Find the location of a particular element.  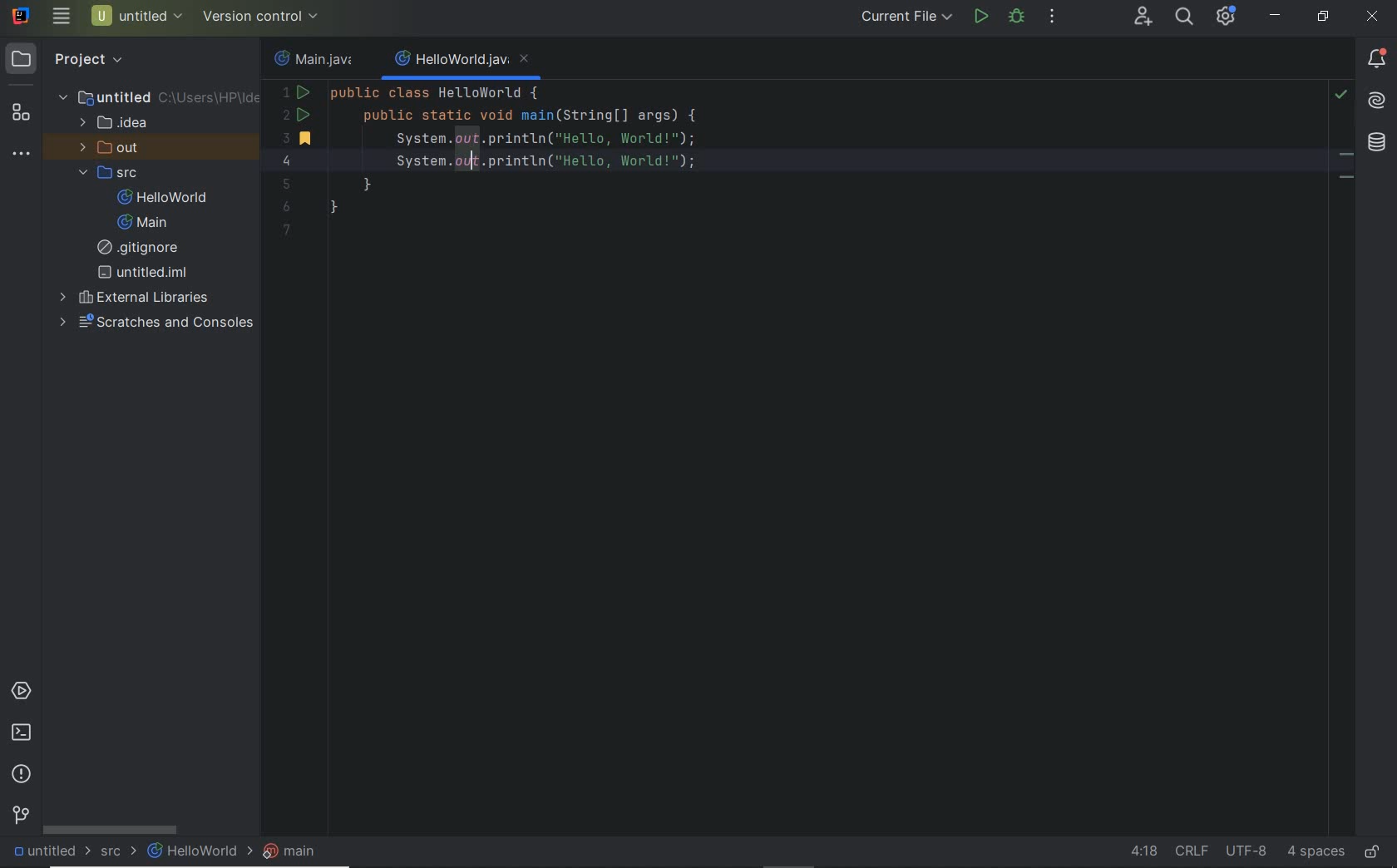

main is located at coordinates (289, 850).